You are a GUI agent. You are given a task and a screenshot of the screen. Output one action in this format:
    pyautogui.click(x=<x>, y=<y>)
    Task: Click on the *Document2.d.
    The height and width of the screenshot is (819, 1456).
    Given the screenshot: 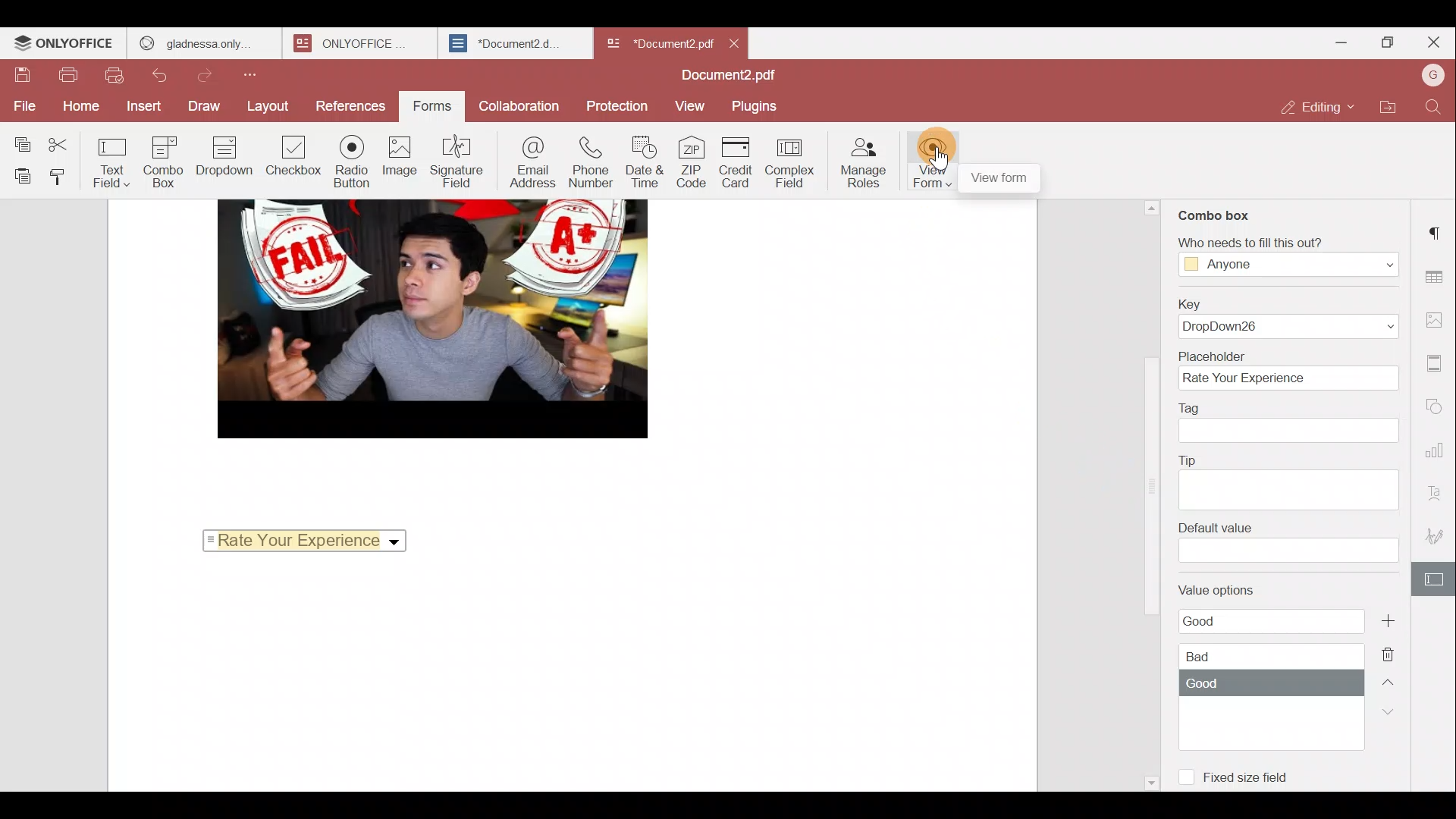 What is the action you would take?
    pyautogui.click(x=505, y=41)
    